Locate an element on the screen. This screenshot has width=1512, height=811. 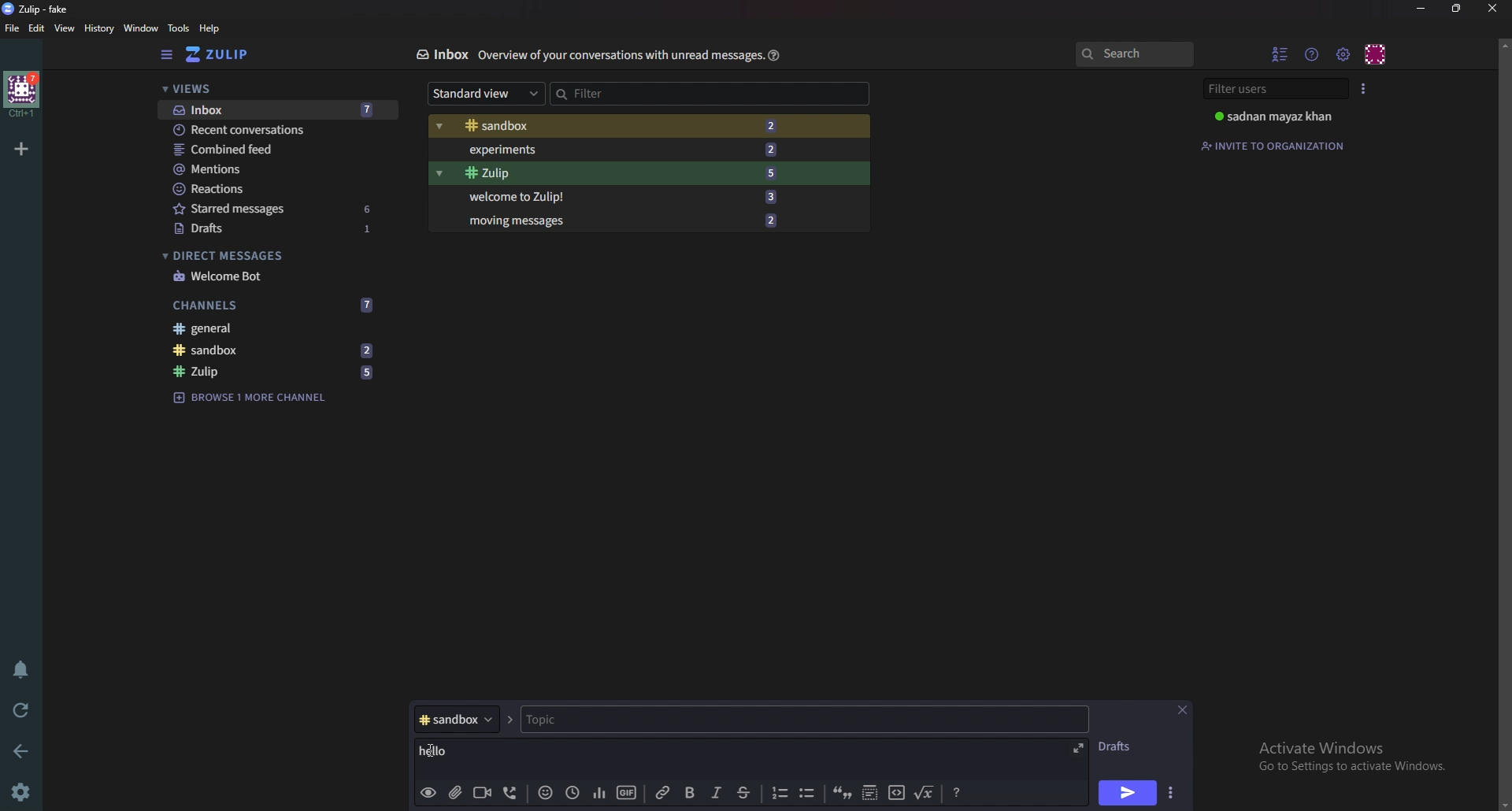
Add file is located at coordinates (455, 791).